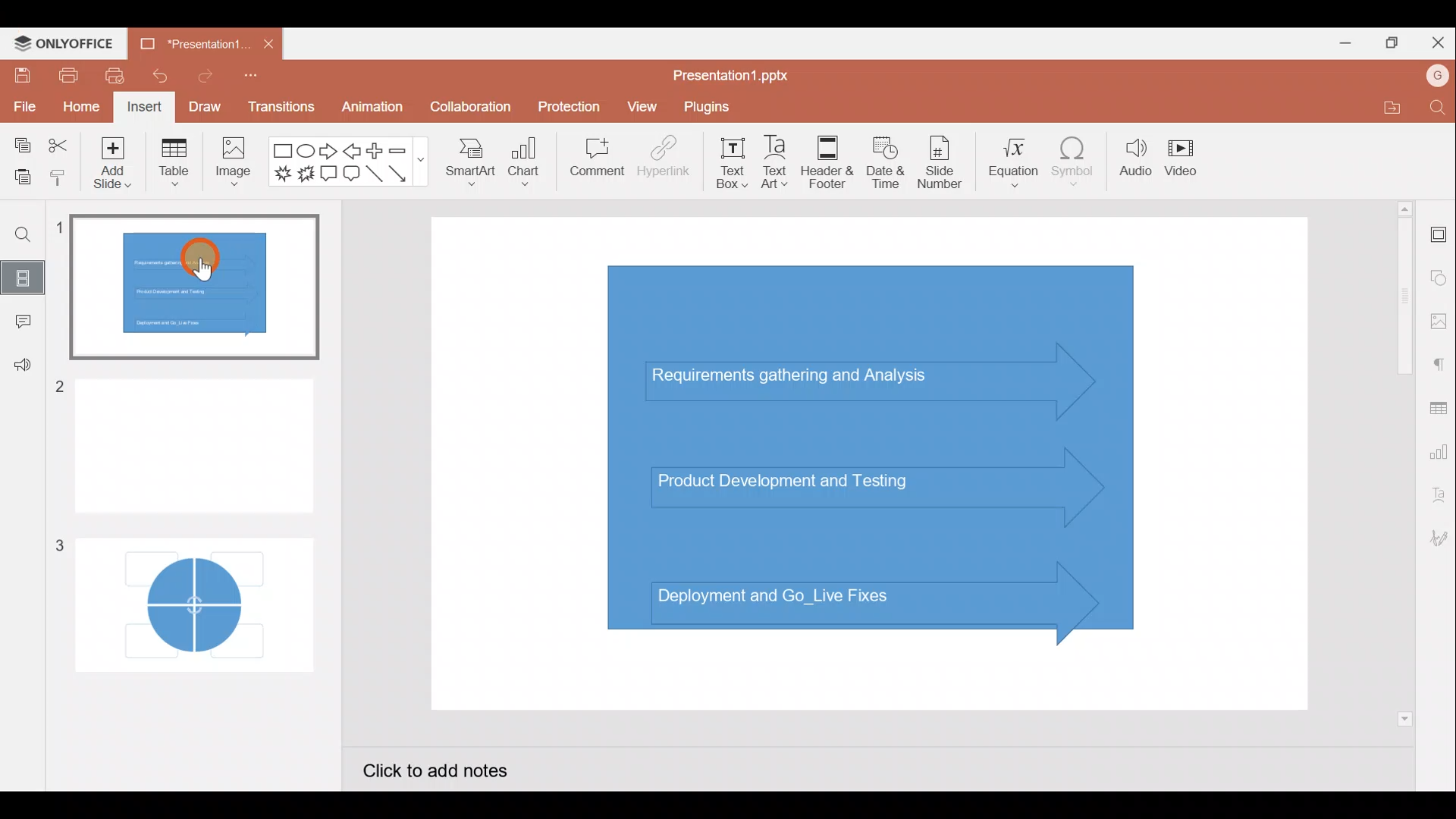  What do you see at coordinates (63, 76) in the screenshot?
I see `Print file` at bounding box center [63, 76].